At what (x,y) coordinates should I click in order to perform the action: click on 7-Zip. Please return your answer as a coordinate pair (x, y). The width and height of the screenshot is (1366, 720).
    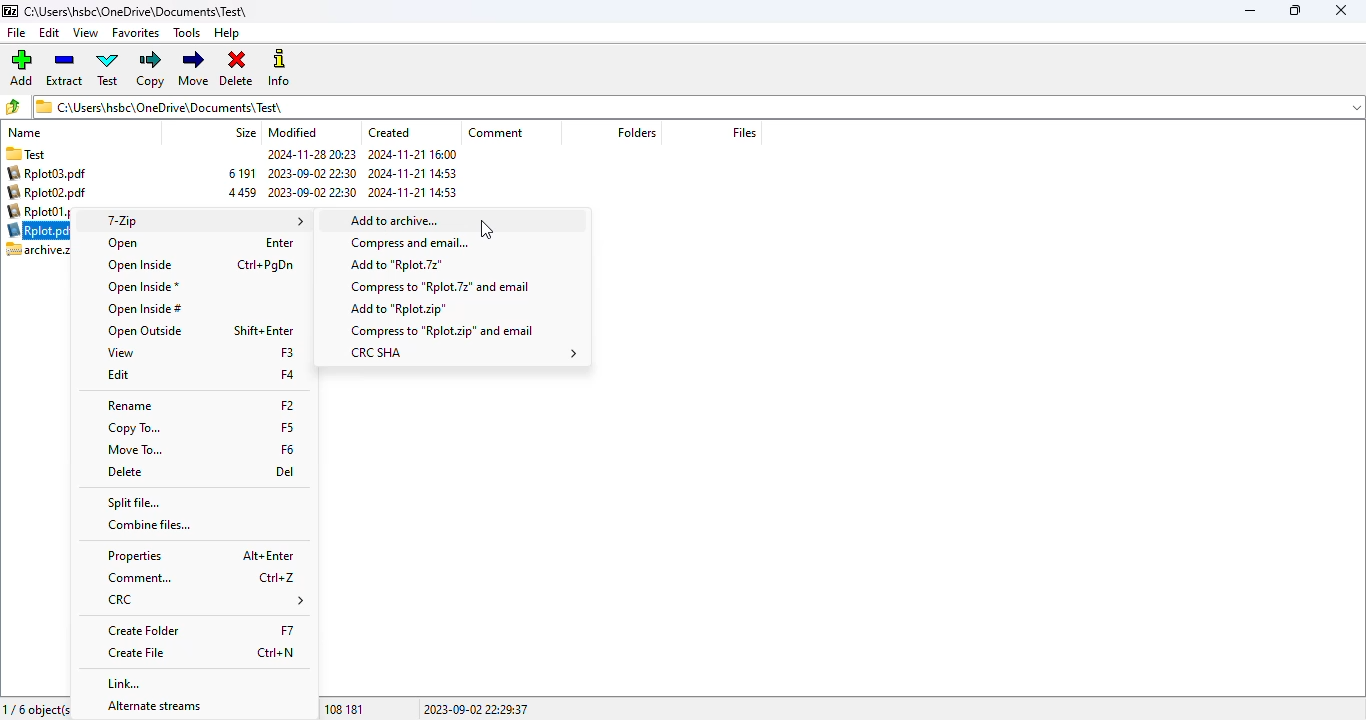
    Looking at the image, I should click on (201, 221).